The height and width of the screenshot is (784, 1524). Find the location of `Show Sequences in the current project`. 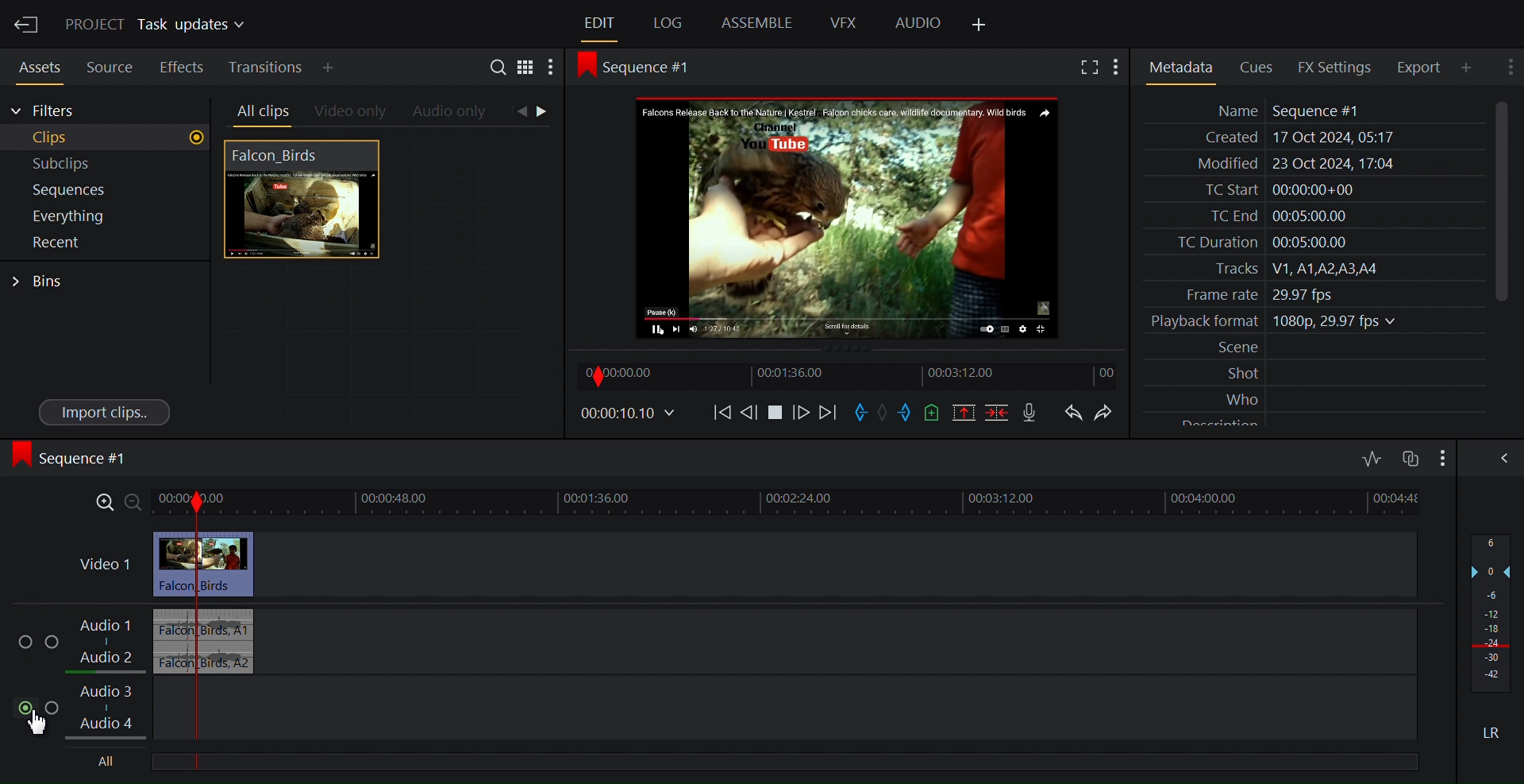

Show Sequences in the current project is located at coordinates (106, 190).